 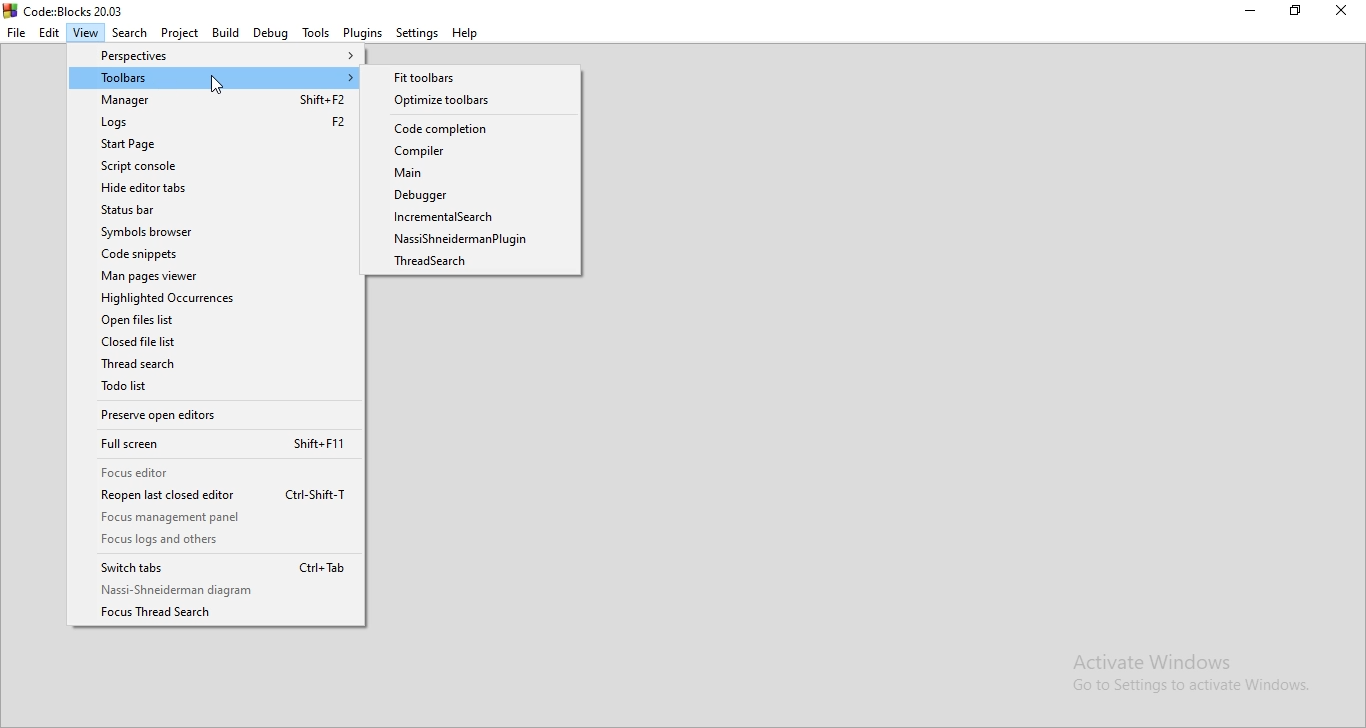 What do you see at coordinates (480, 100) in the screenshot?
I see `Optimize toolbars` at bounding box center [480, 100].